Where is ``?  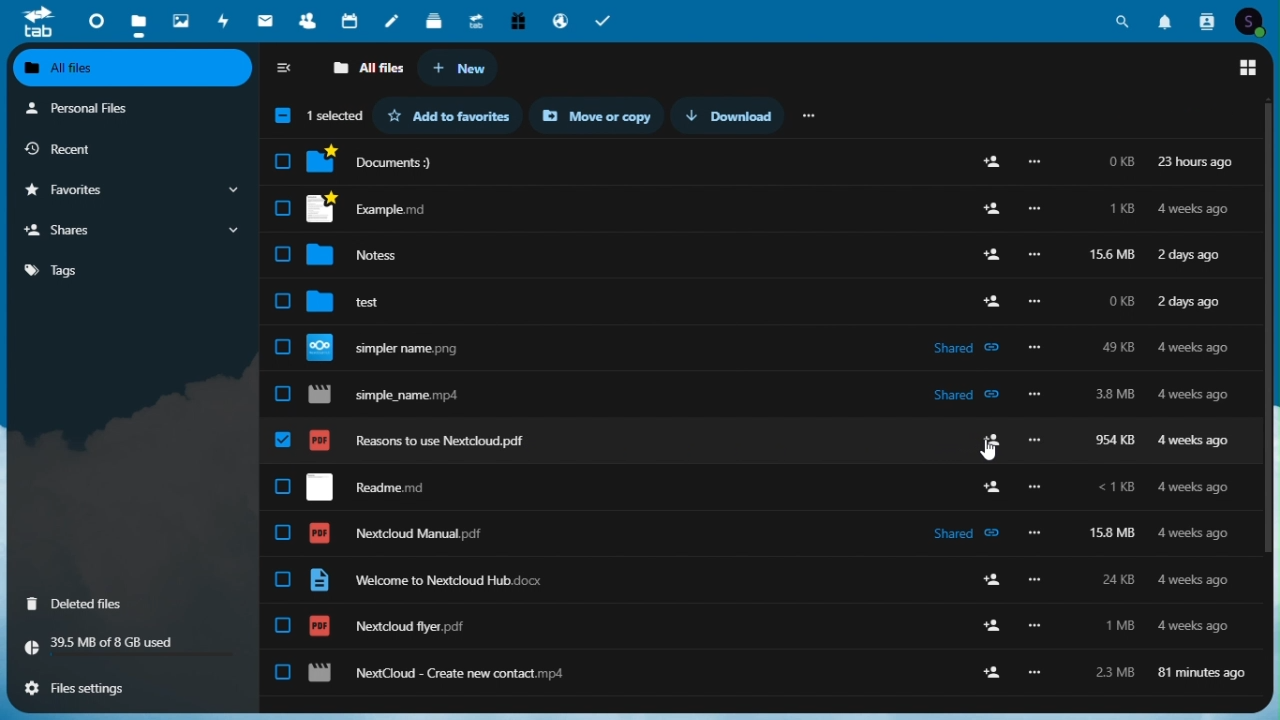  is located at coordinates (1033, 302).